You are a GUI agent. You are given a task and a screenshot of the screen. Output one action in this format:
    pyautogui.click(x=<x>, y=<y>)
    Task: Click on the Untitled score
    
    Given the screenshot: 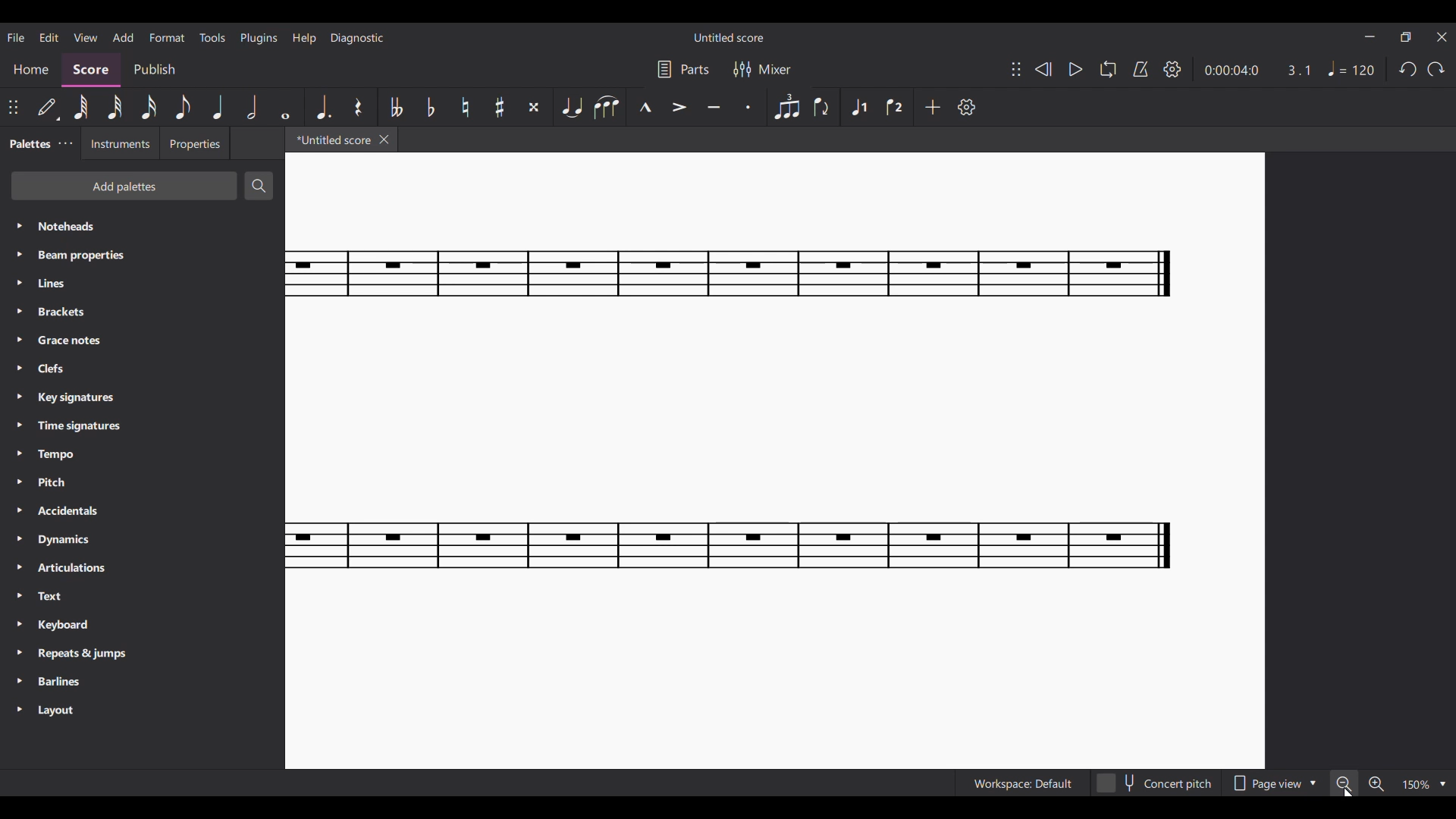 What is the action you would take?
    pyautogui.click(x=729, y=38)
    